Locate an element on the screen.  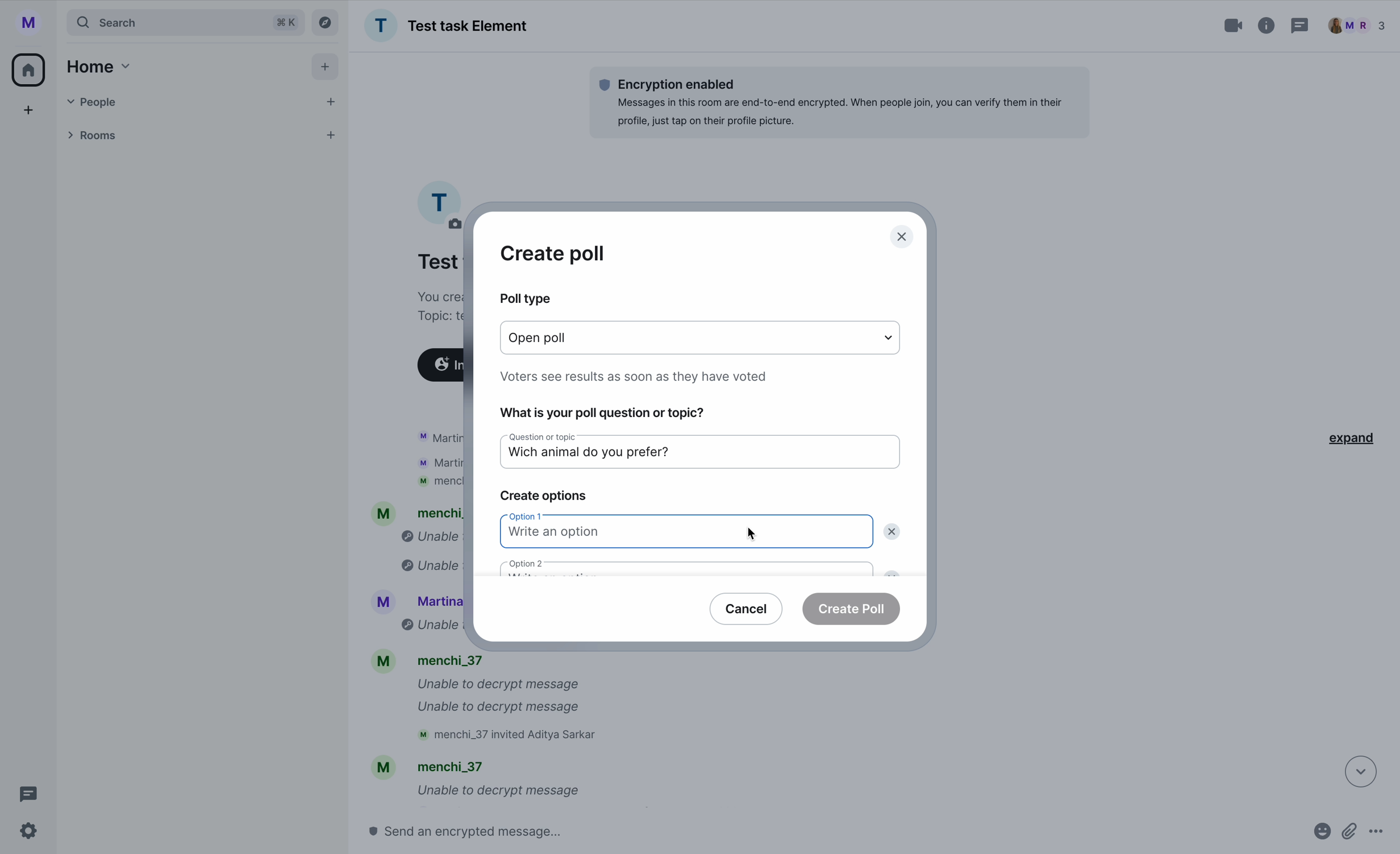
 Encryption enabledMessages in this room are end-to-end encrypted. When people join, you can verify them in theirprofile, just tap on their profile picture. is located at coordinates (838, 102).